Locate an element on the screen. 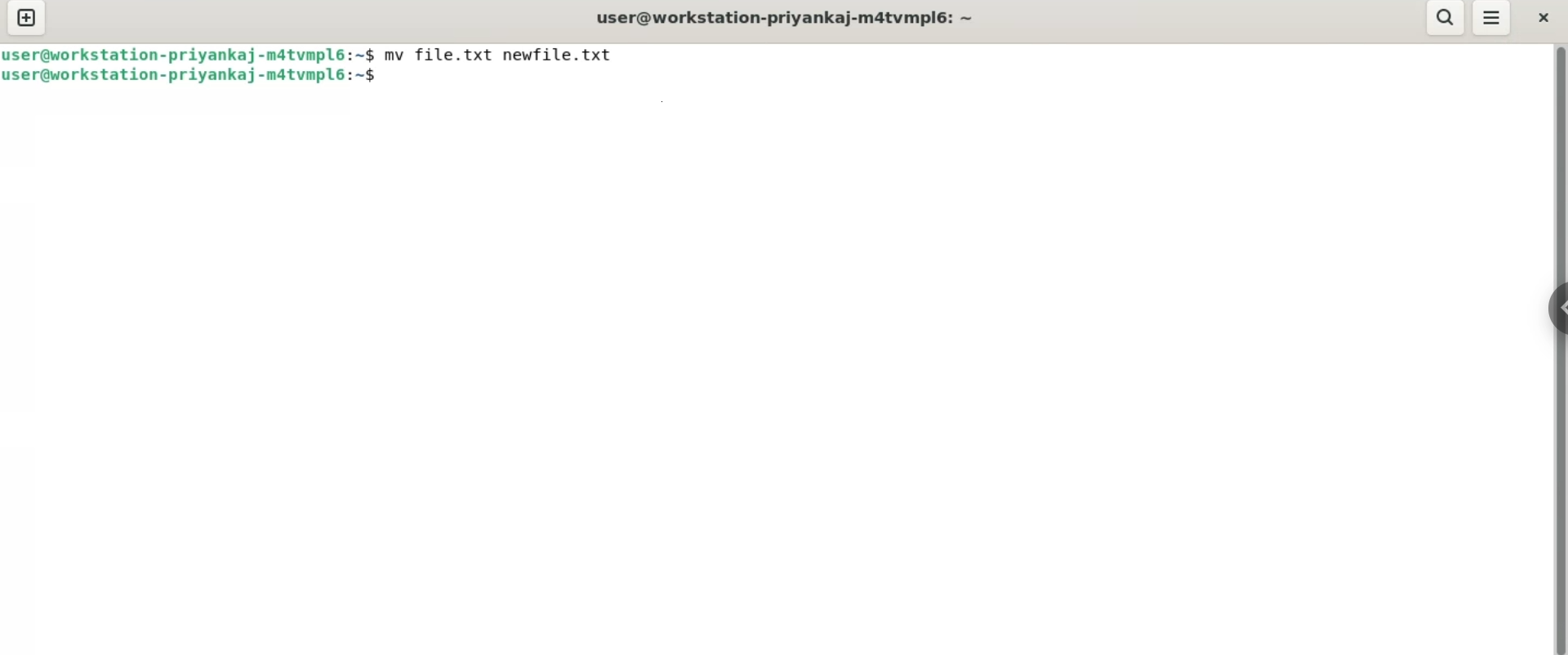 Image resolution: width=1568 pixels, height=655 pixels. user@workstation-priyankaj-matvmpl6:~ is located at coordinates (782, 16).